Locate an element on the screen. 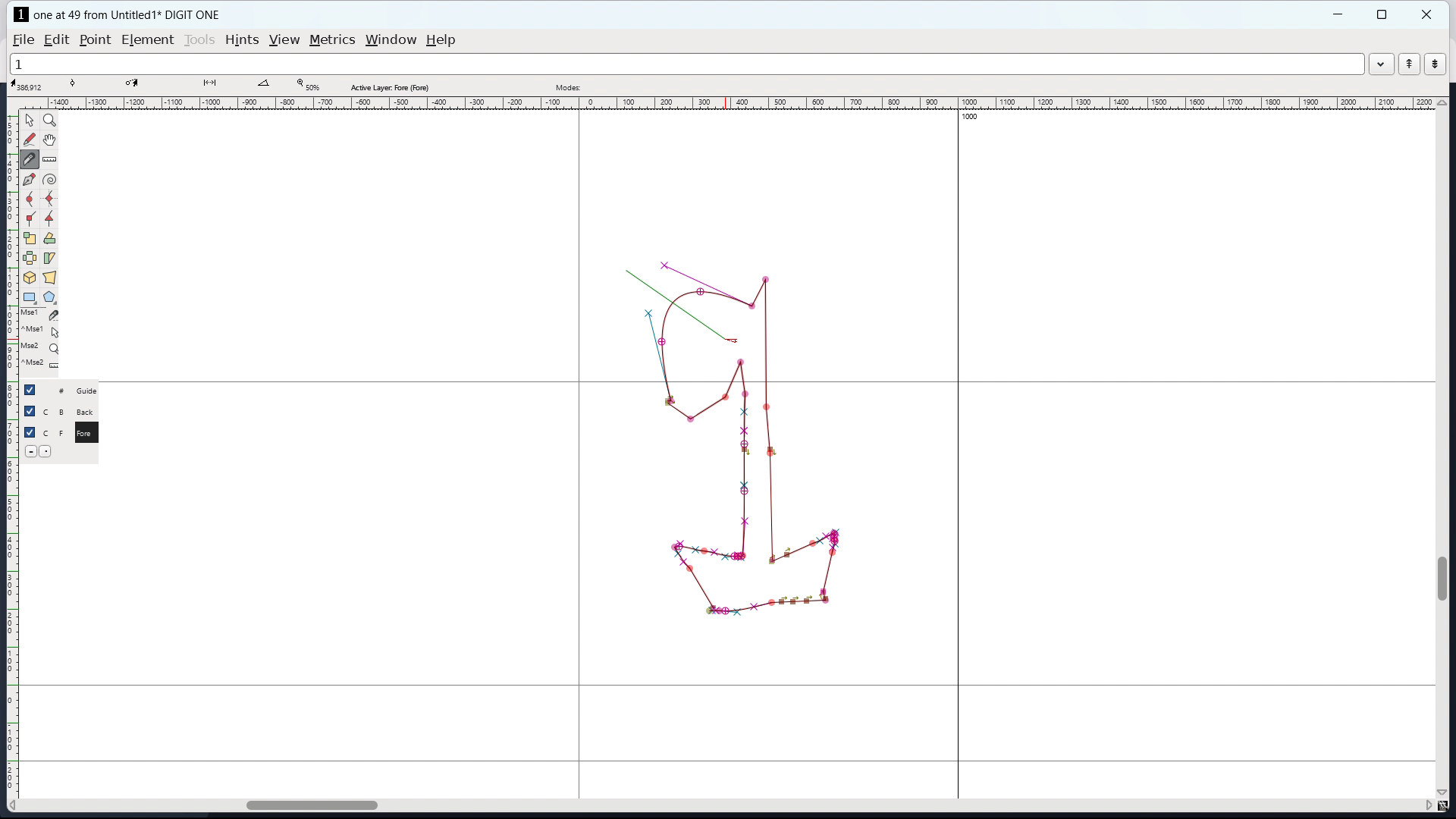 This screenshot has width=1456, height=819. add a point then drag out its  control points is located at coordinates (29, 180).